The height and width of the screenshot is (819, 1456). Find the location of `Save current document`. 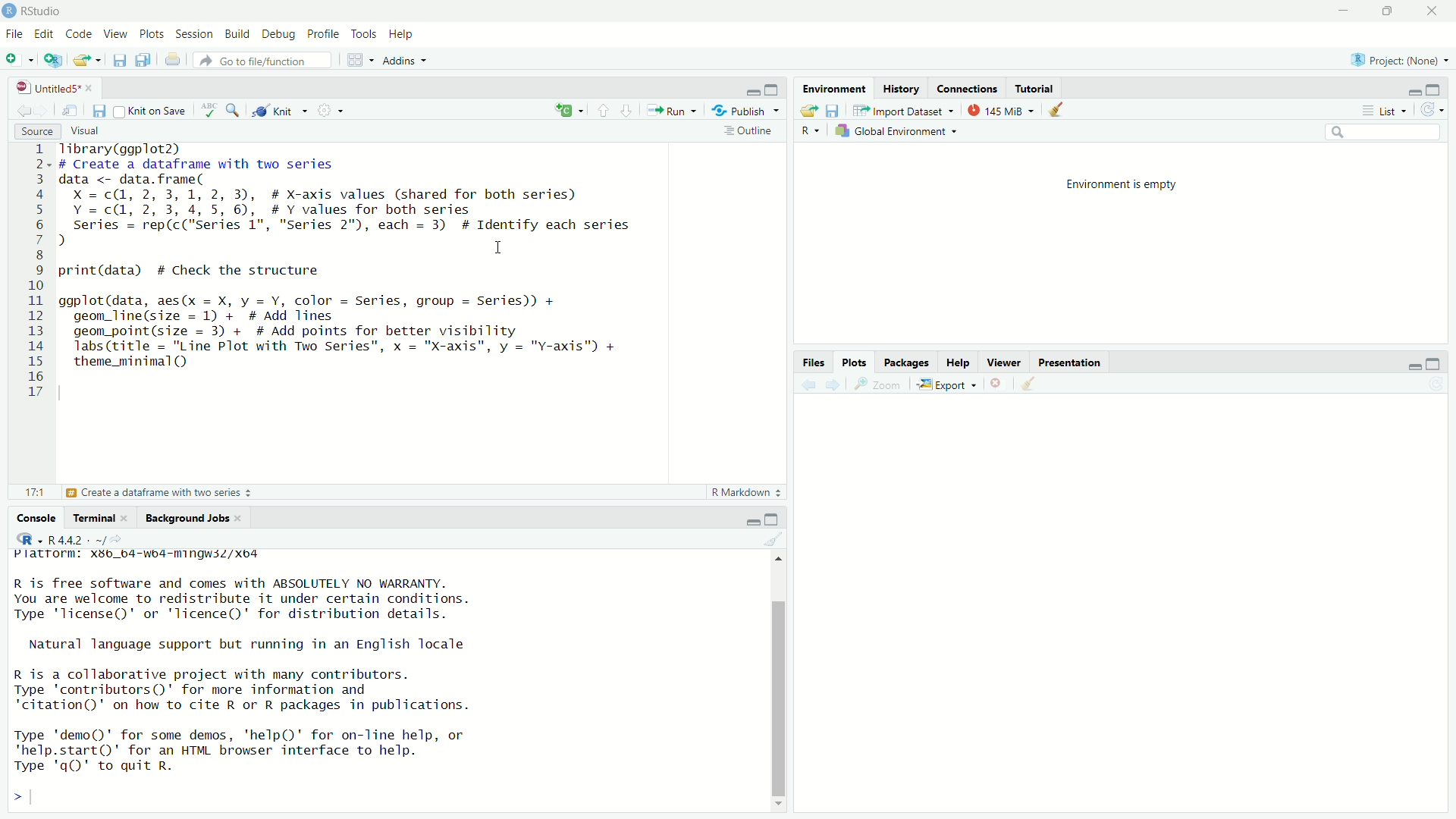

Save current document is located at coordinates (122, 61).